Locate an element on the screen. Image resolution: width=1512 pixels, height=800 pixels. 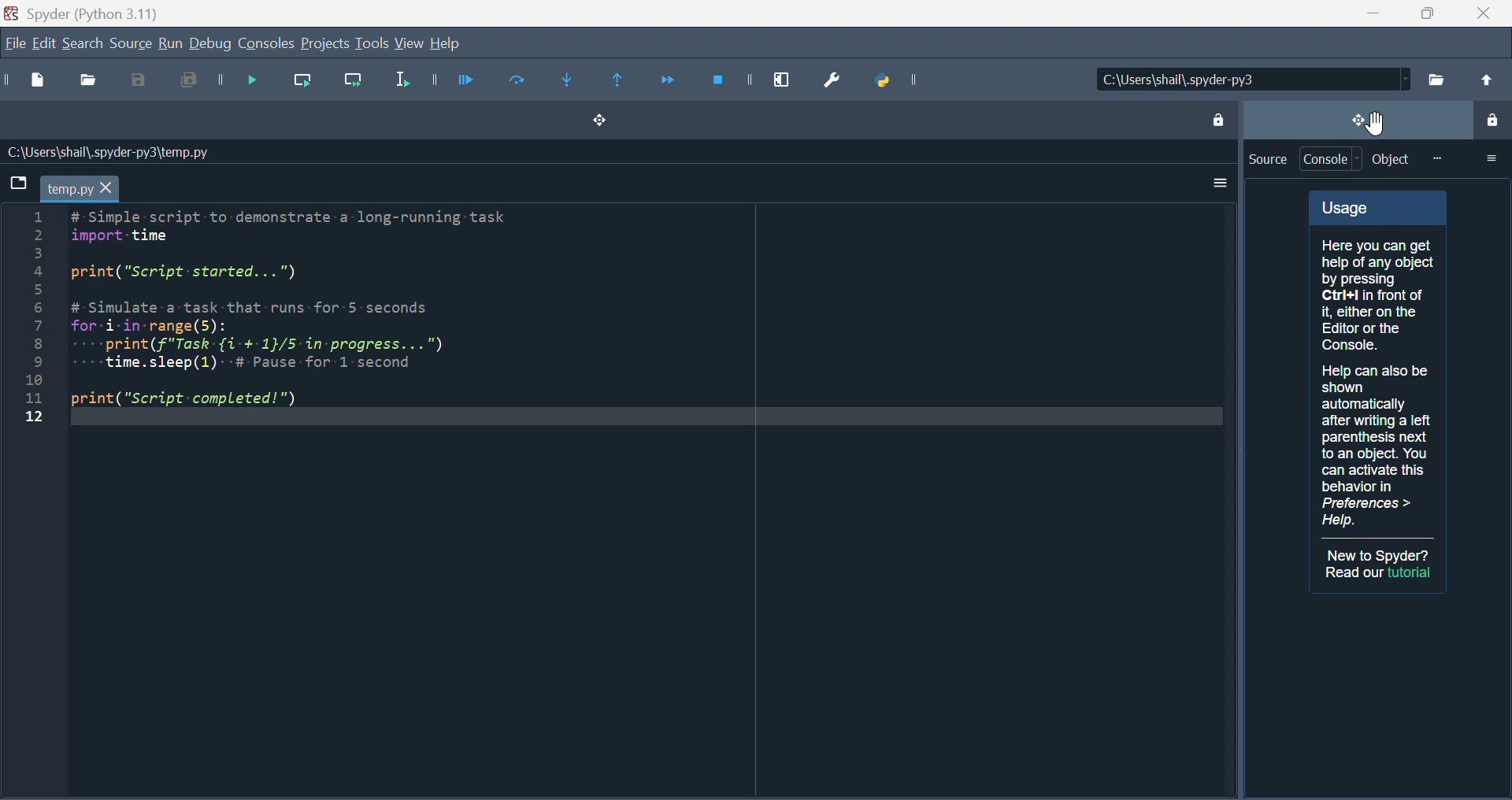
Save as is located at coordinates (140, 83).